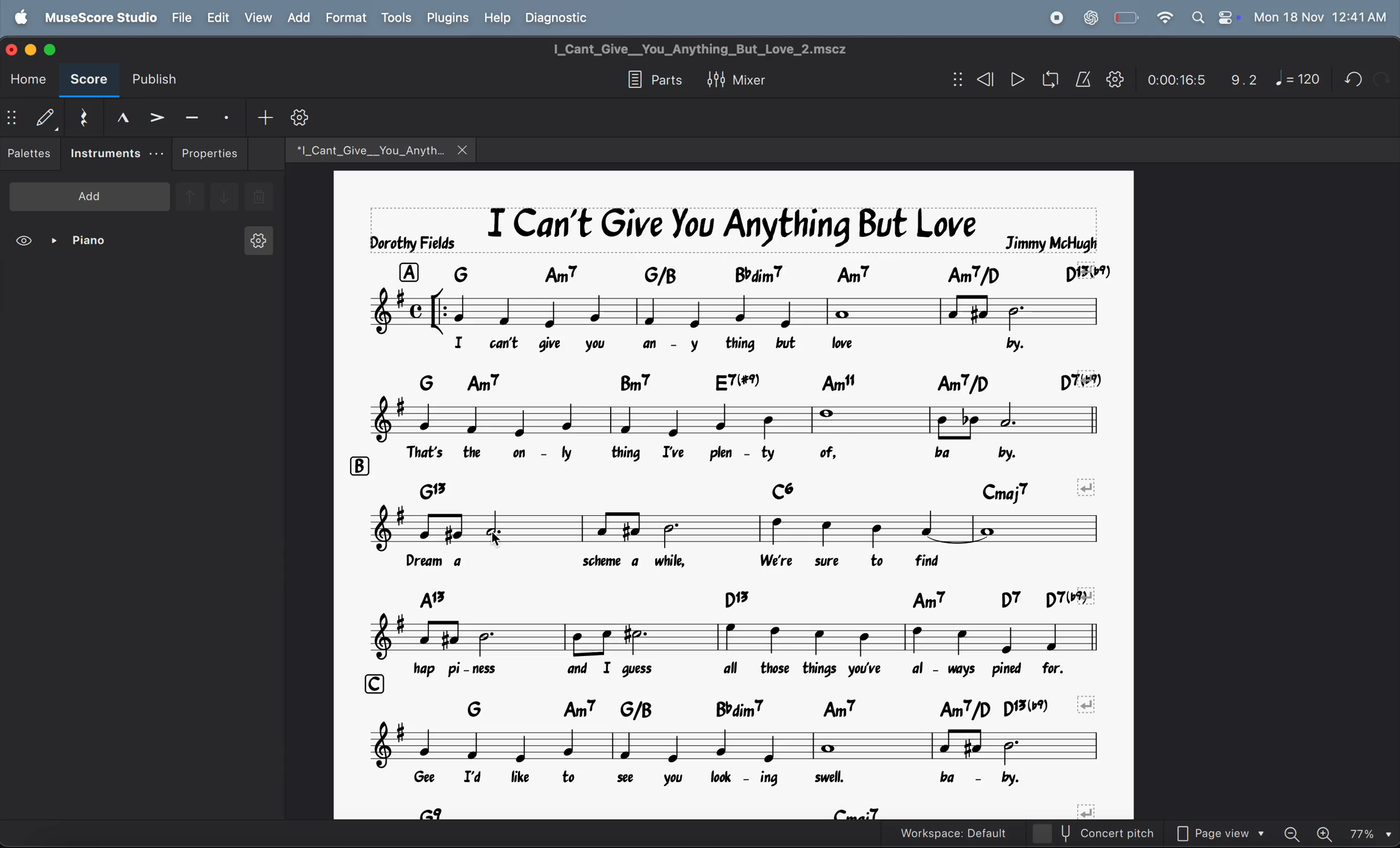 This screenshot has width=1400, height=848. I want to click on add, so click(263, 116).